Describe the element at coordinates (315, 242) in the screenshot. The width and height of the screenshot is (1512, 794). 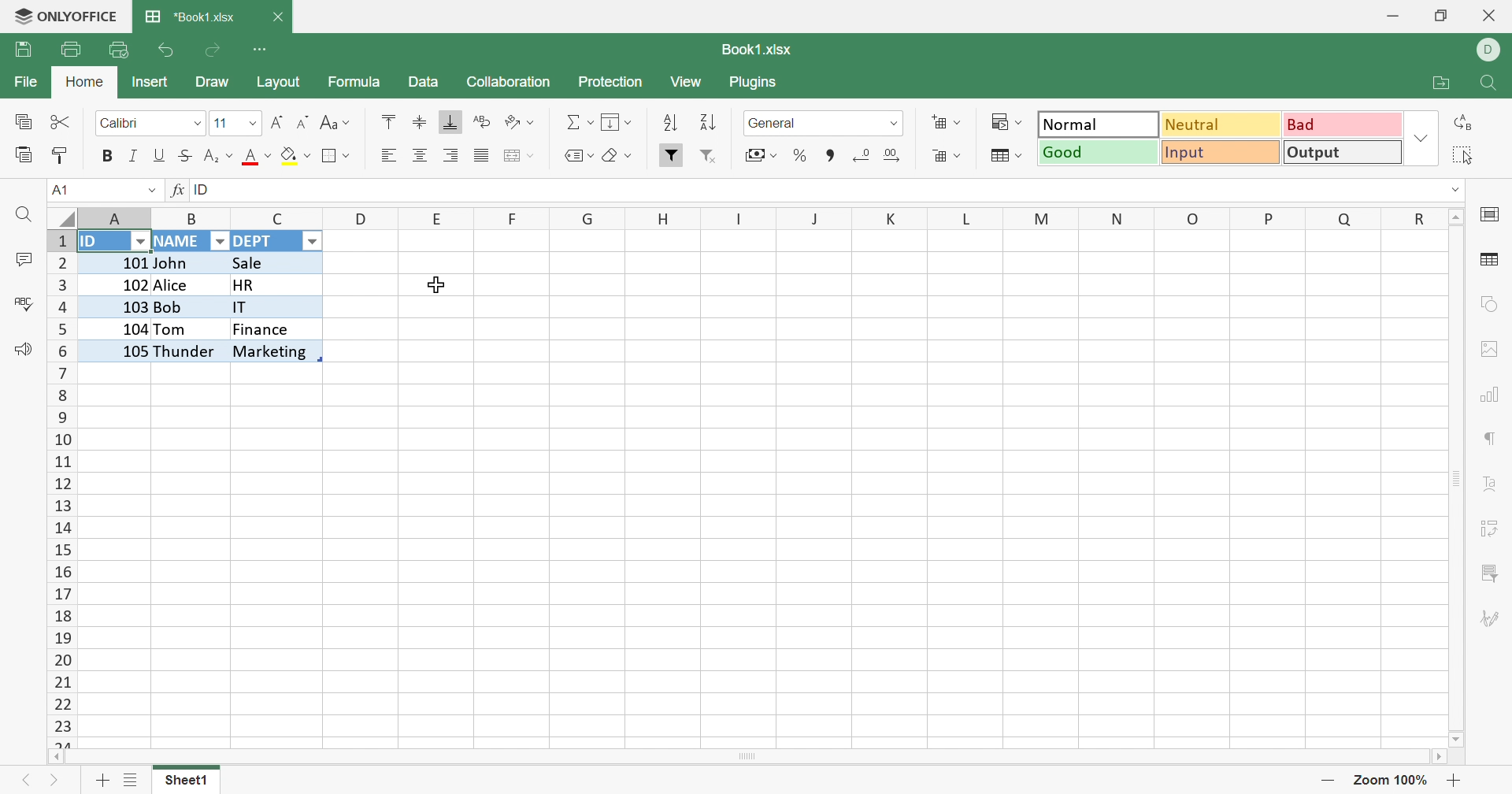
I see `Drop Down` at that location.